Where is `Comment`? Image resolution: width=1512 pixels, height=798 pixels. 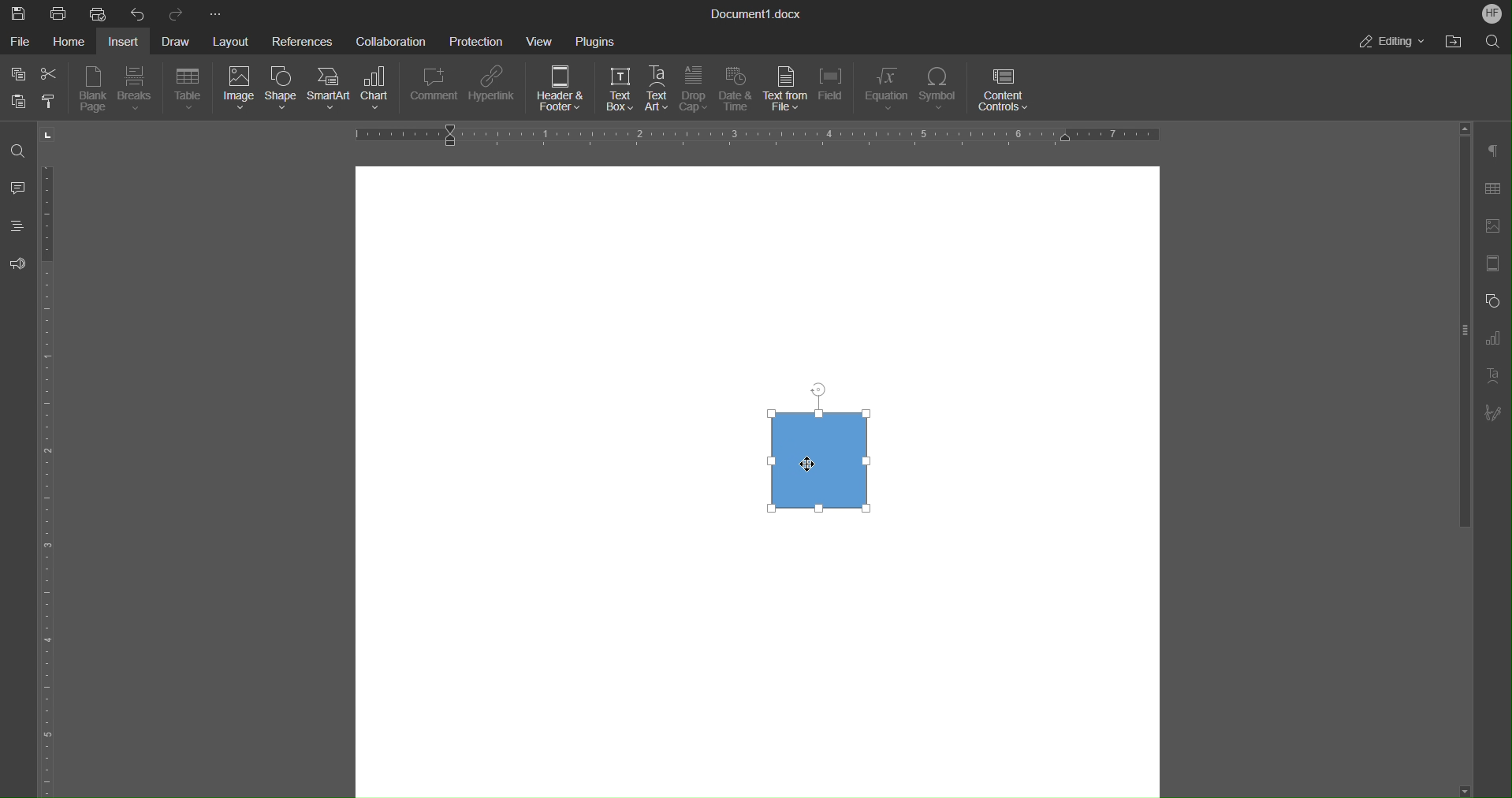 Comment is located at coordinates (435, 91).